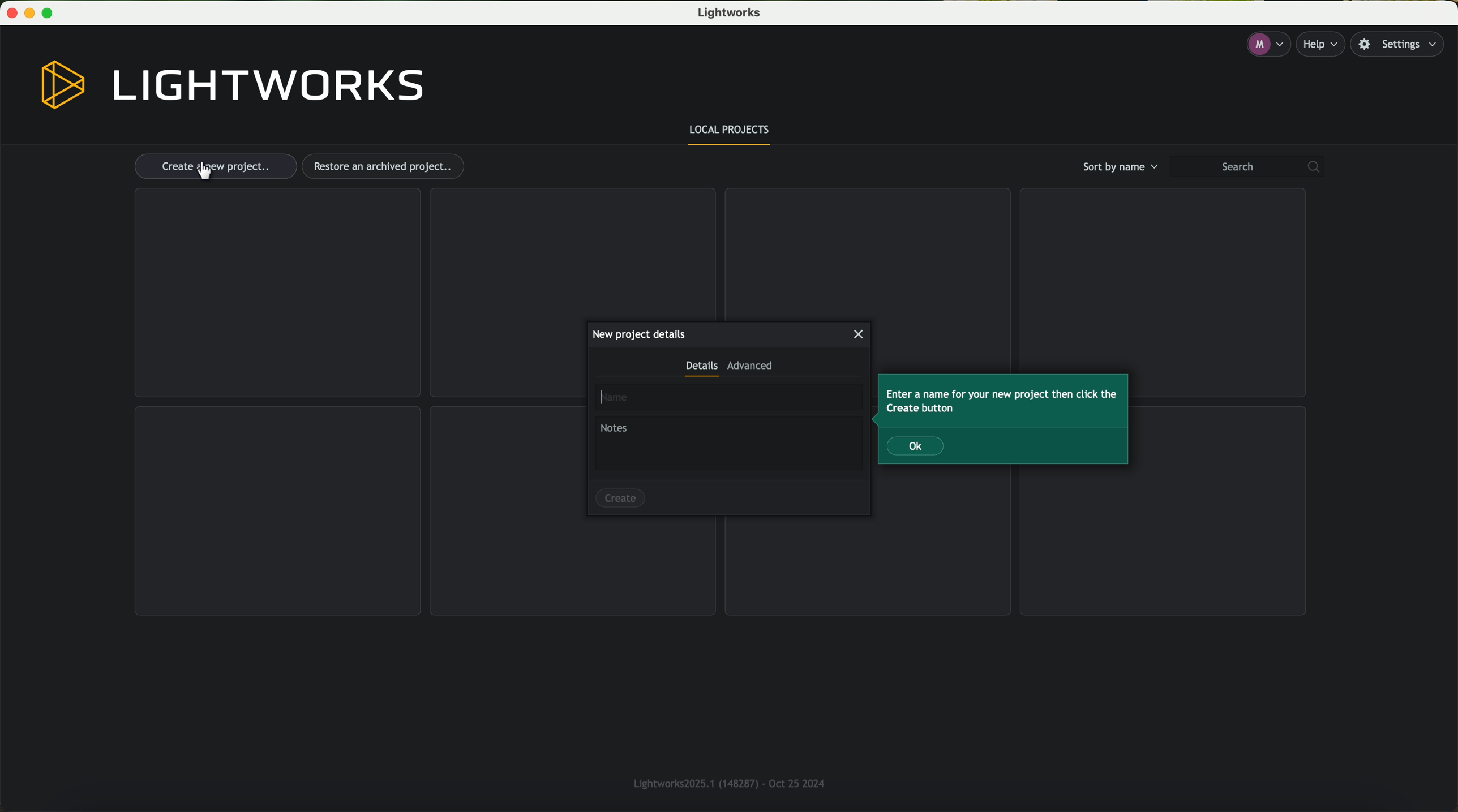 The width and height of the screenshot is (1458, 812). What do you see at coordinates (870, 564) in the screenshot?
I see `grid` at bounding box center [870, 564].